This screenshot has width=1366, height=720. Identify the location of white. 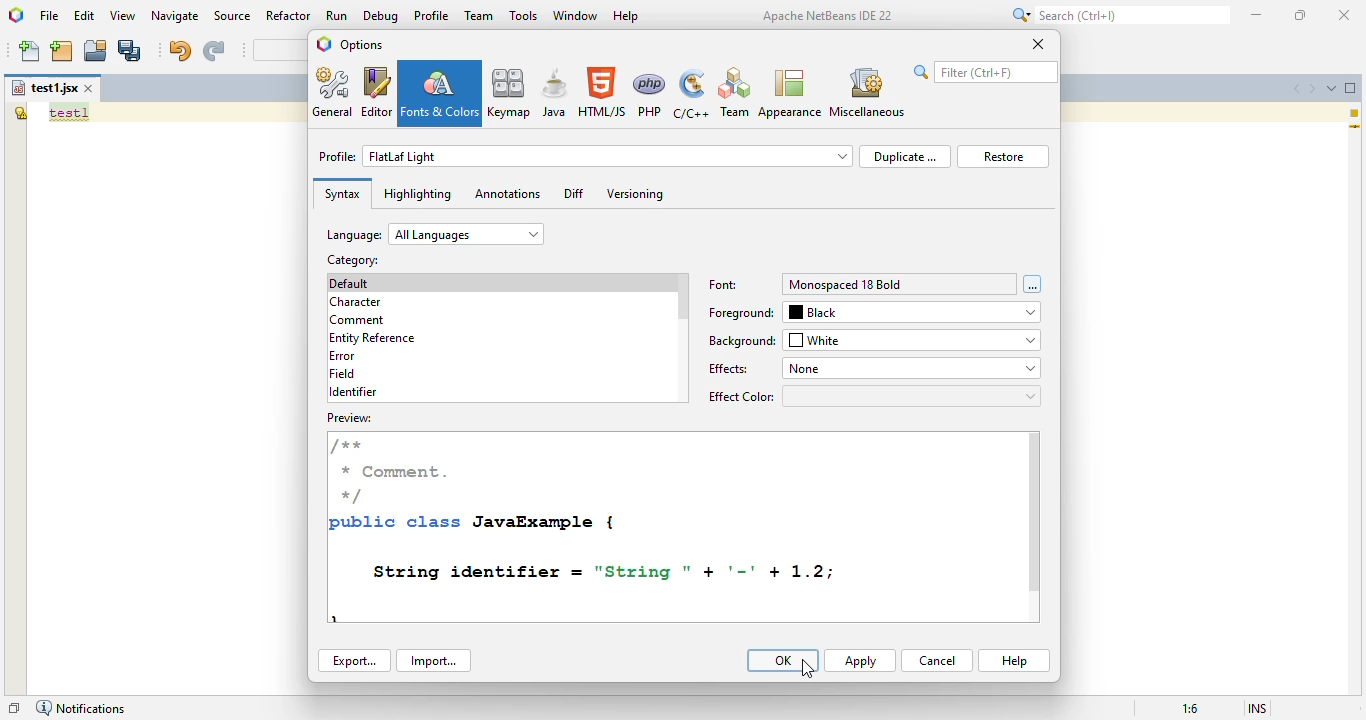
(913, 340).